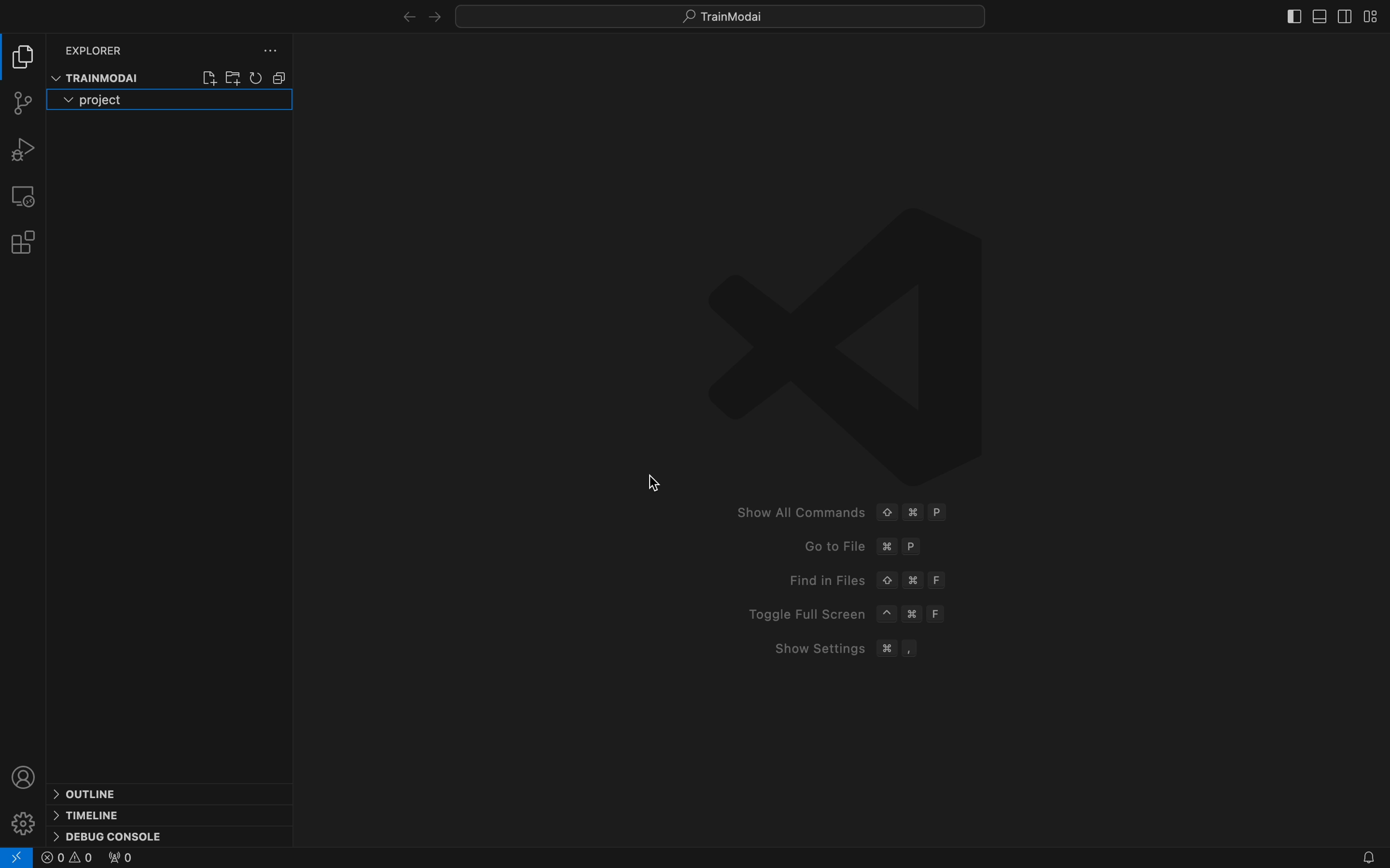  What do you see at coordinates (123, 835) in the screenshot?
I see `debug console` at bounding box center [123, 835].